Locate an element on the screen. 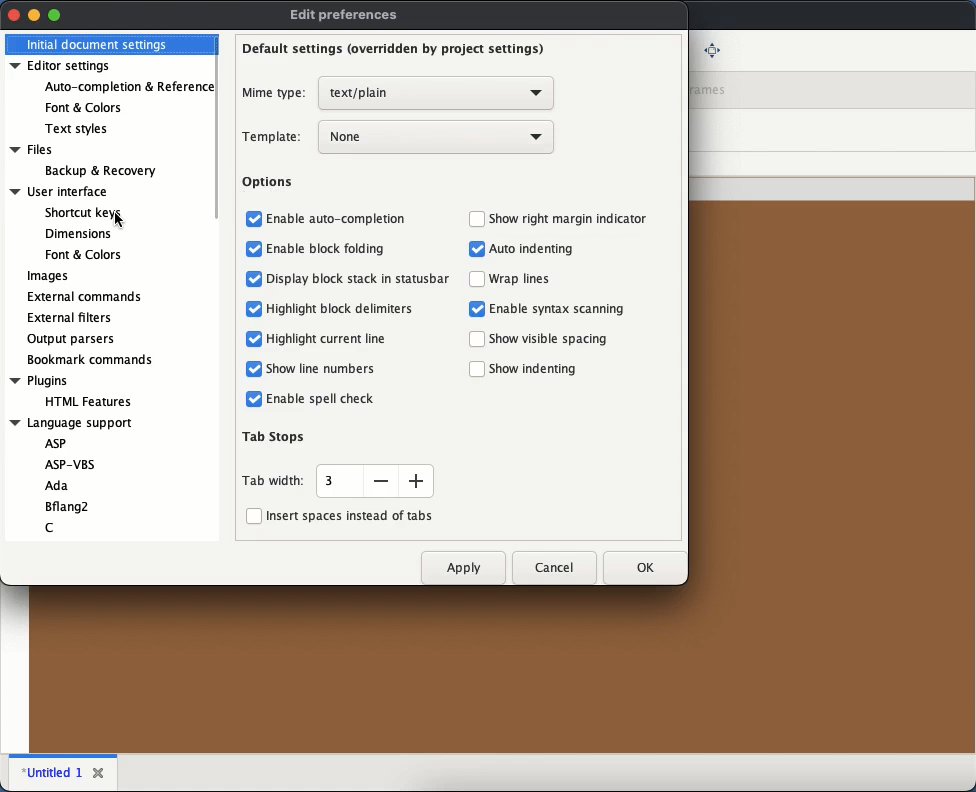  checkbox enabled is located at coordinates (254, 220).